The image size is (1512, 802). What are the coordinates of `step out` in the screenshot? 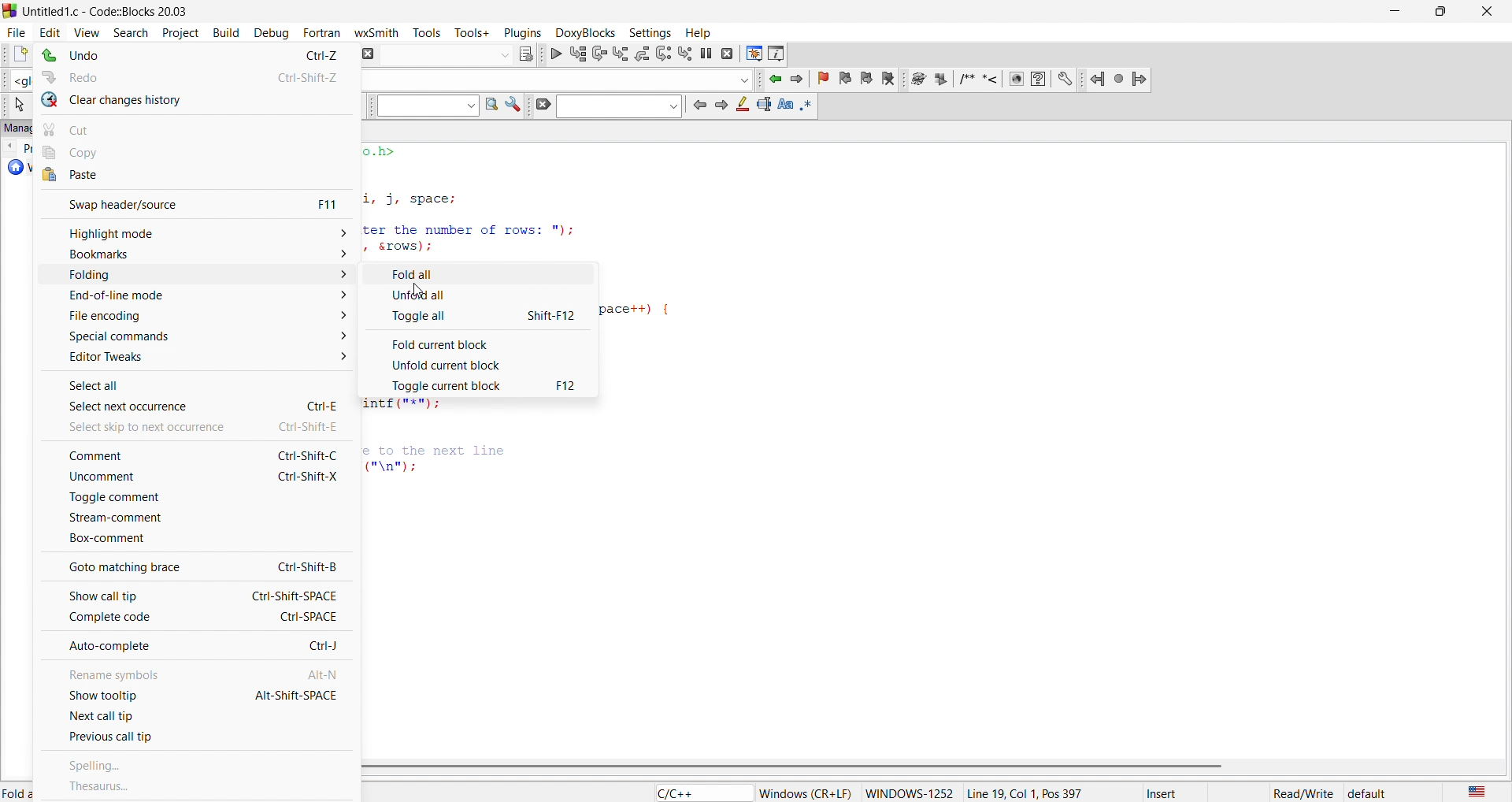 It's located at (641, 53).